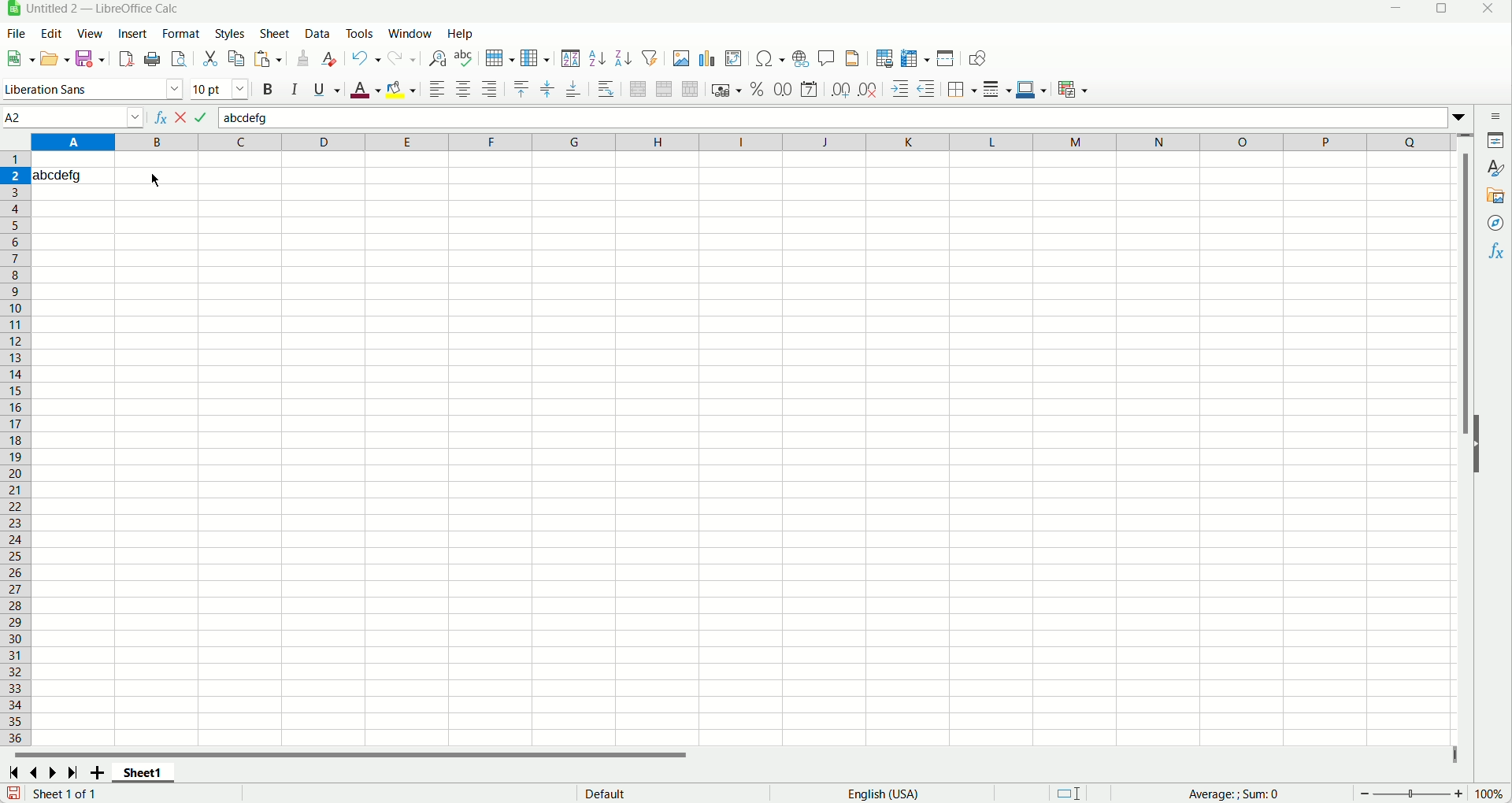 The image size is (1512, 803). What do you see at coordinates (1031, 90) in the screenshot?
I see `border color` at bounding box center [1031, 90].